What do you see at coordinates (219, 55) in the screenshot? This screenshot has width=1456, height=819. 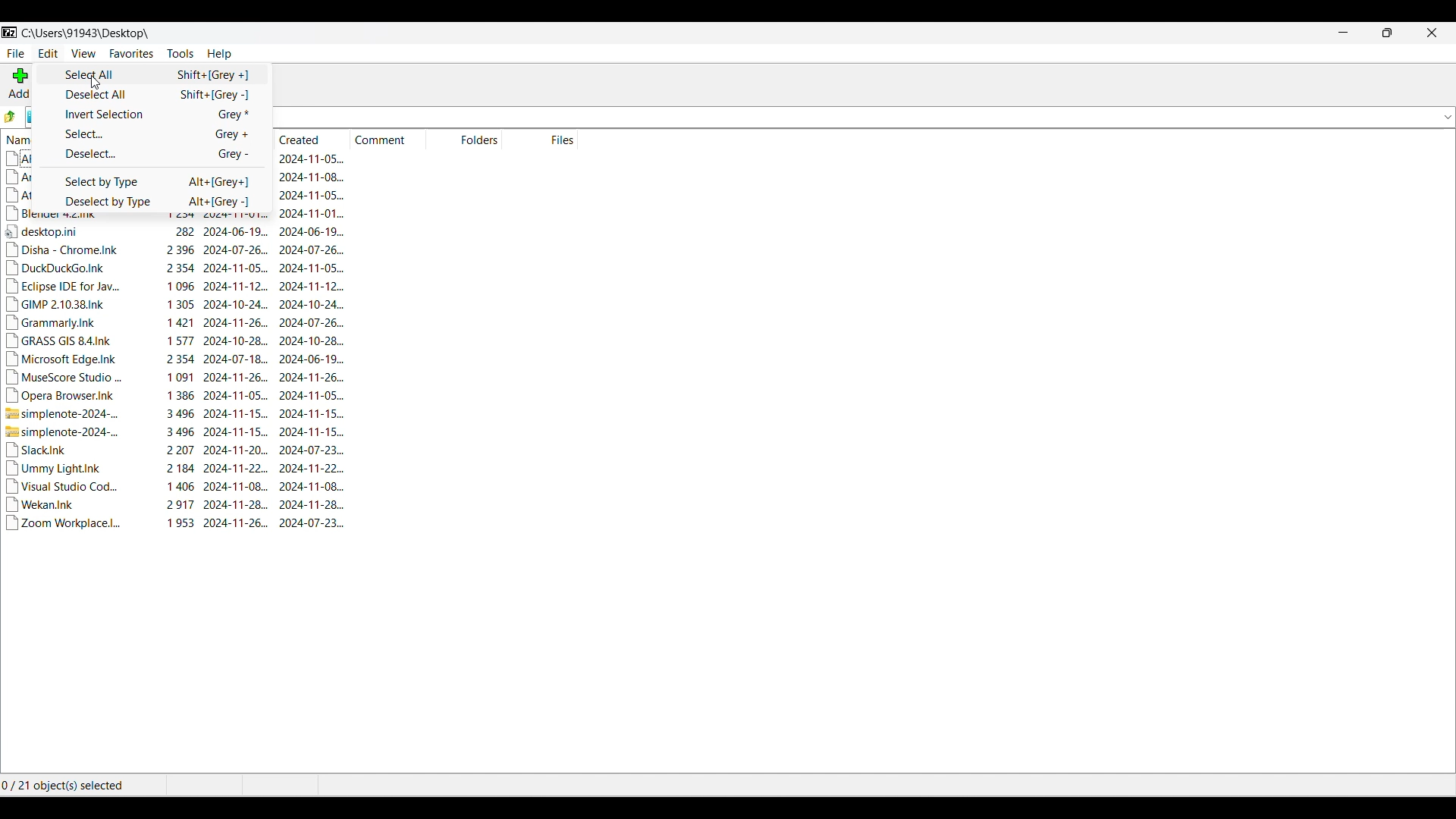 I see `Help menu` at bounding box center [219, 55].